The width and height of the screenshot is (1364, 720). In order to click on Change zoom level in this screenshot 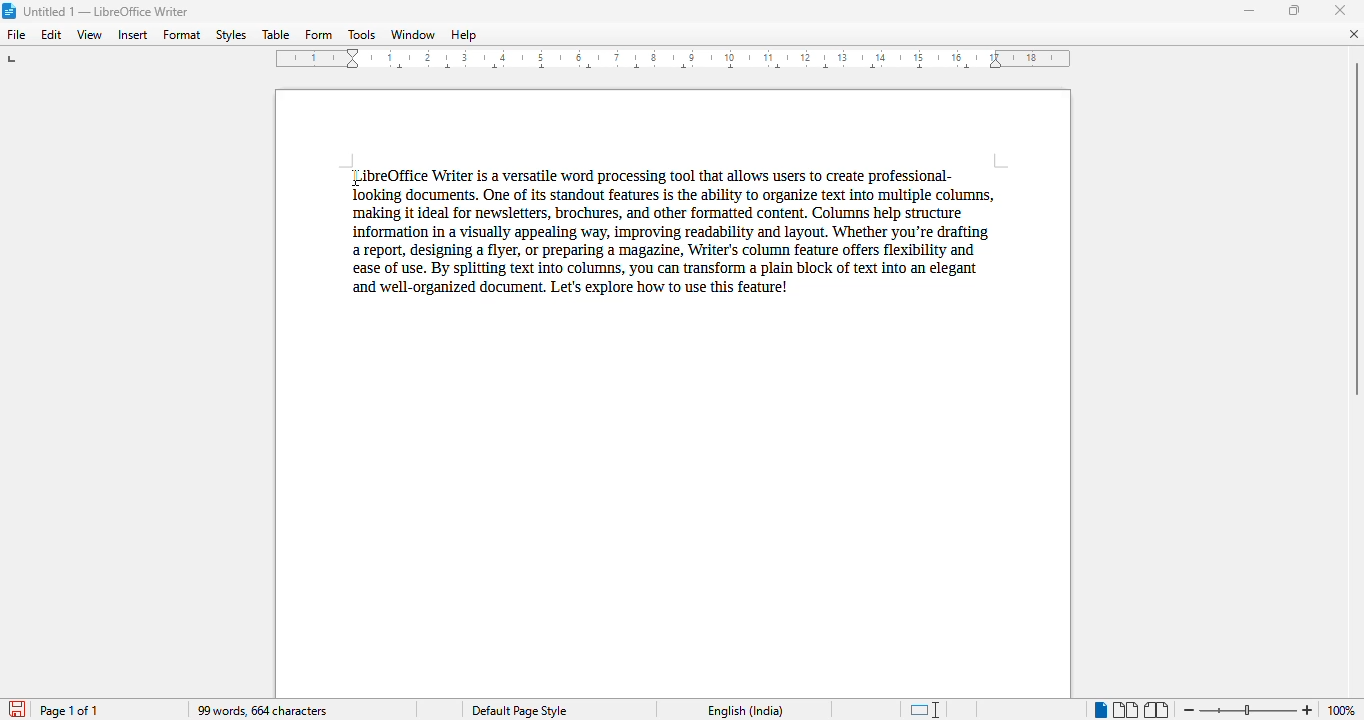, I will do `click(1248, 707)`.